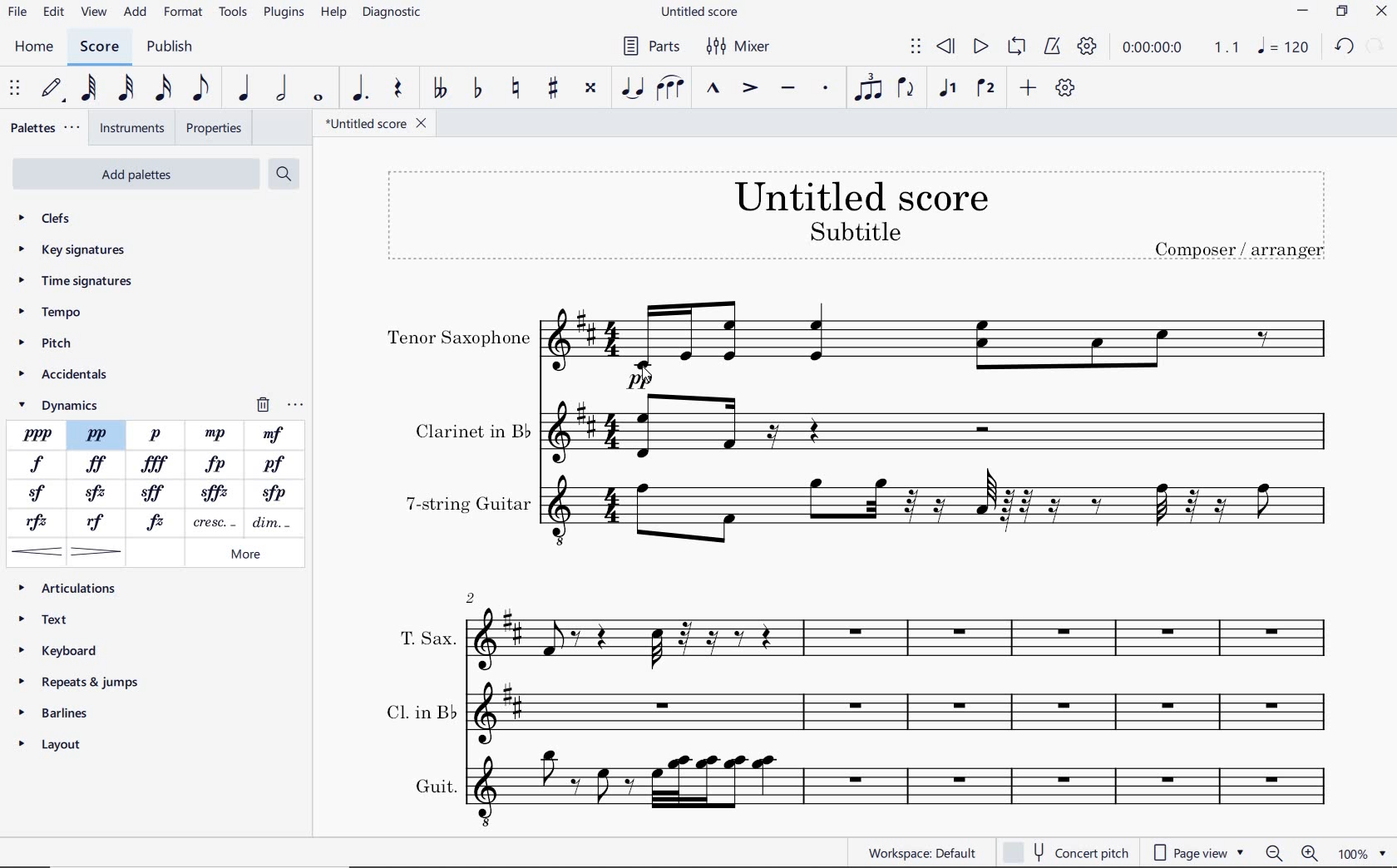 The image size is (1397, 868). What do you see at coordinates (37, 464) in the screenshot?
I see `F(FORTE)` at bounding box center [37, 464].